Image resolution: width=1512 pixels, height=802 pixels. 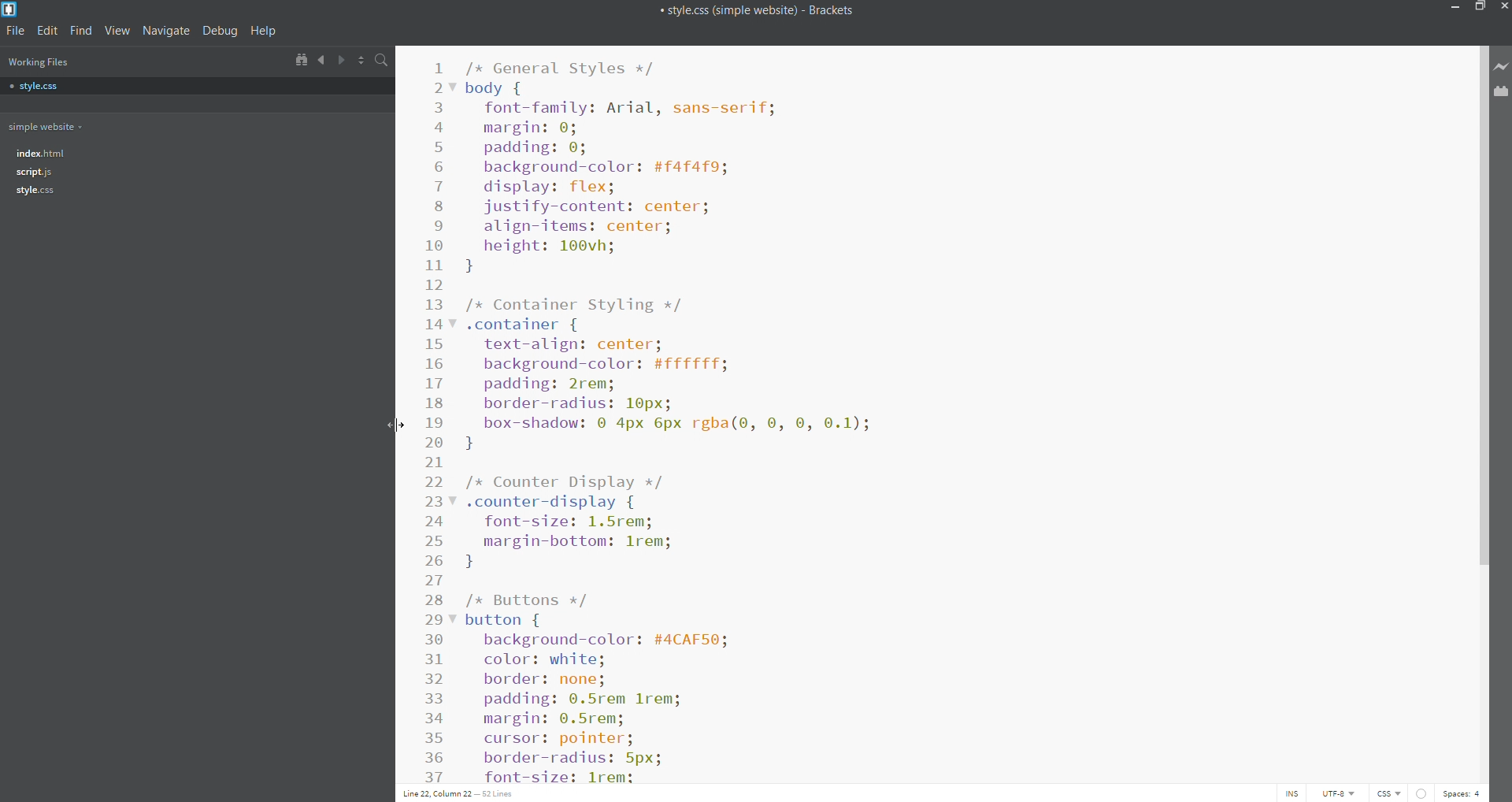 What do you see at coordinates (1336, 793) in the screenshot?
I see `encoding` at bounding box center [1336, 793].